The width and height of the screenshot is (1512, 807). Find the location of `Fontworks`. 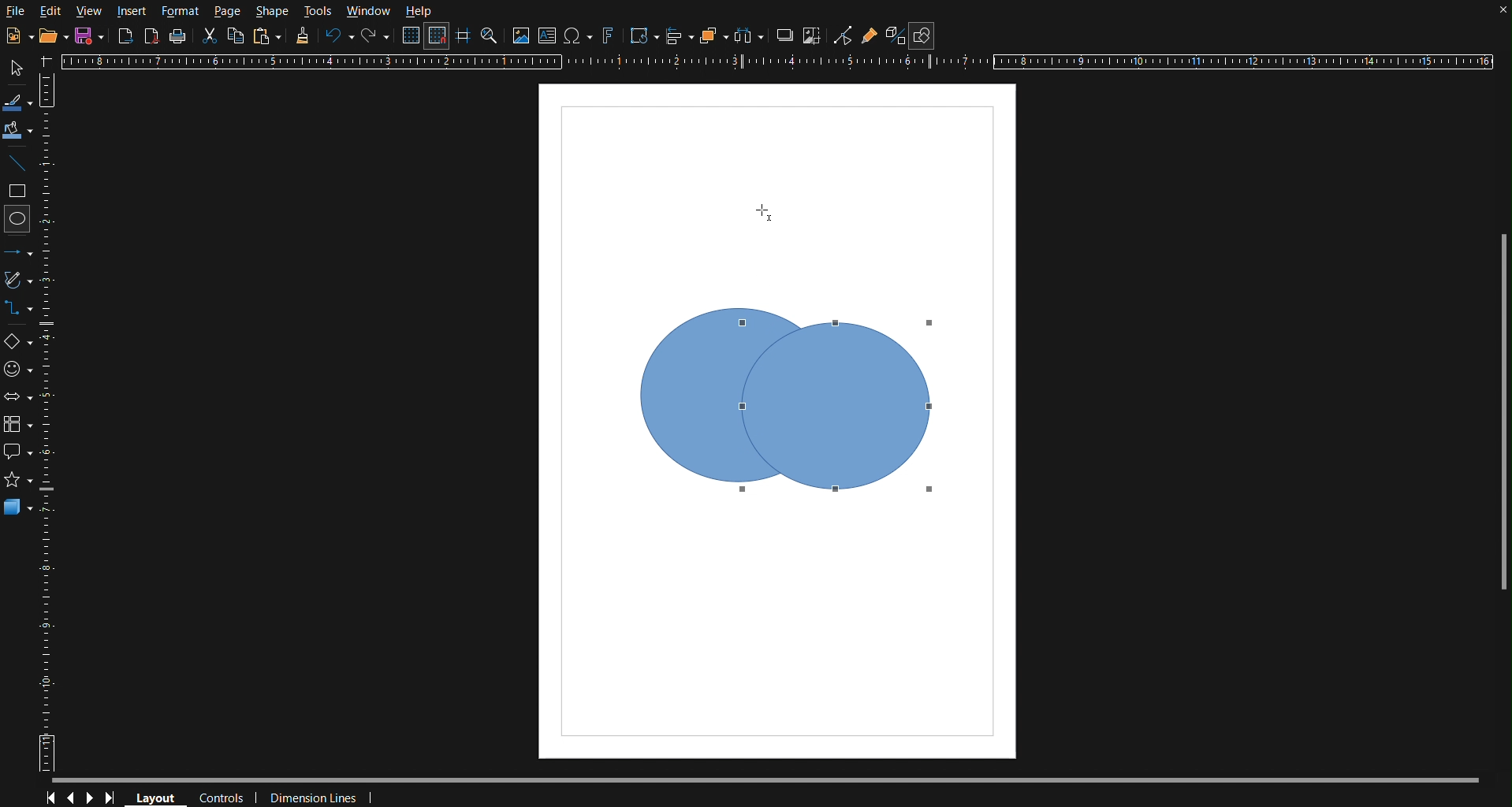

Fontworks is located at coordinates (608, 36).